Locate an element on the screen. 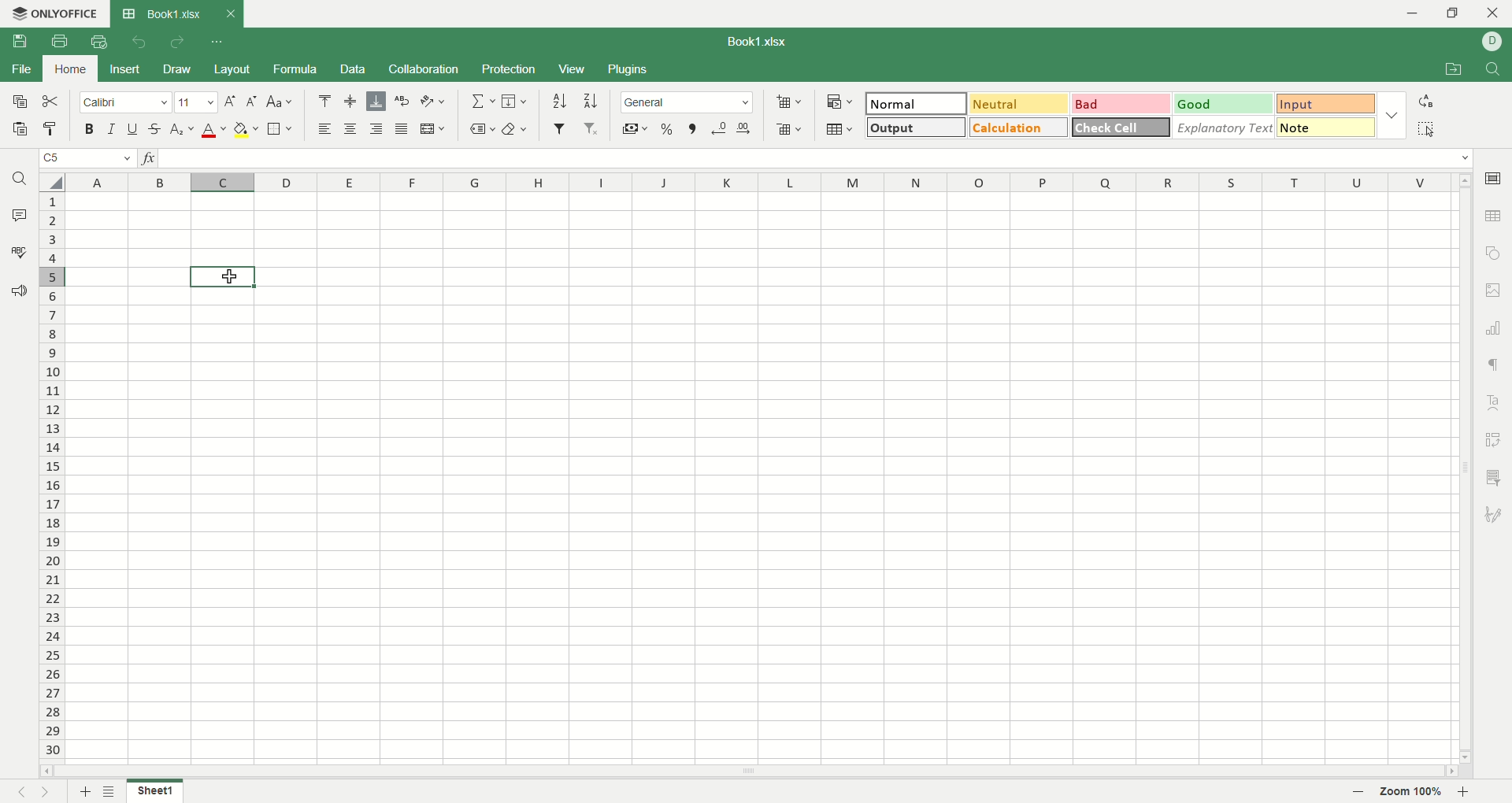 Image resolution: width=1512 pixels, height=803 pixels. filter is located at coordinates (559, 128).